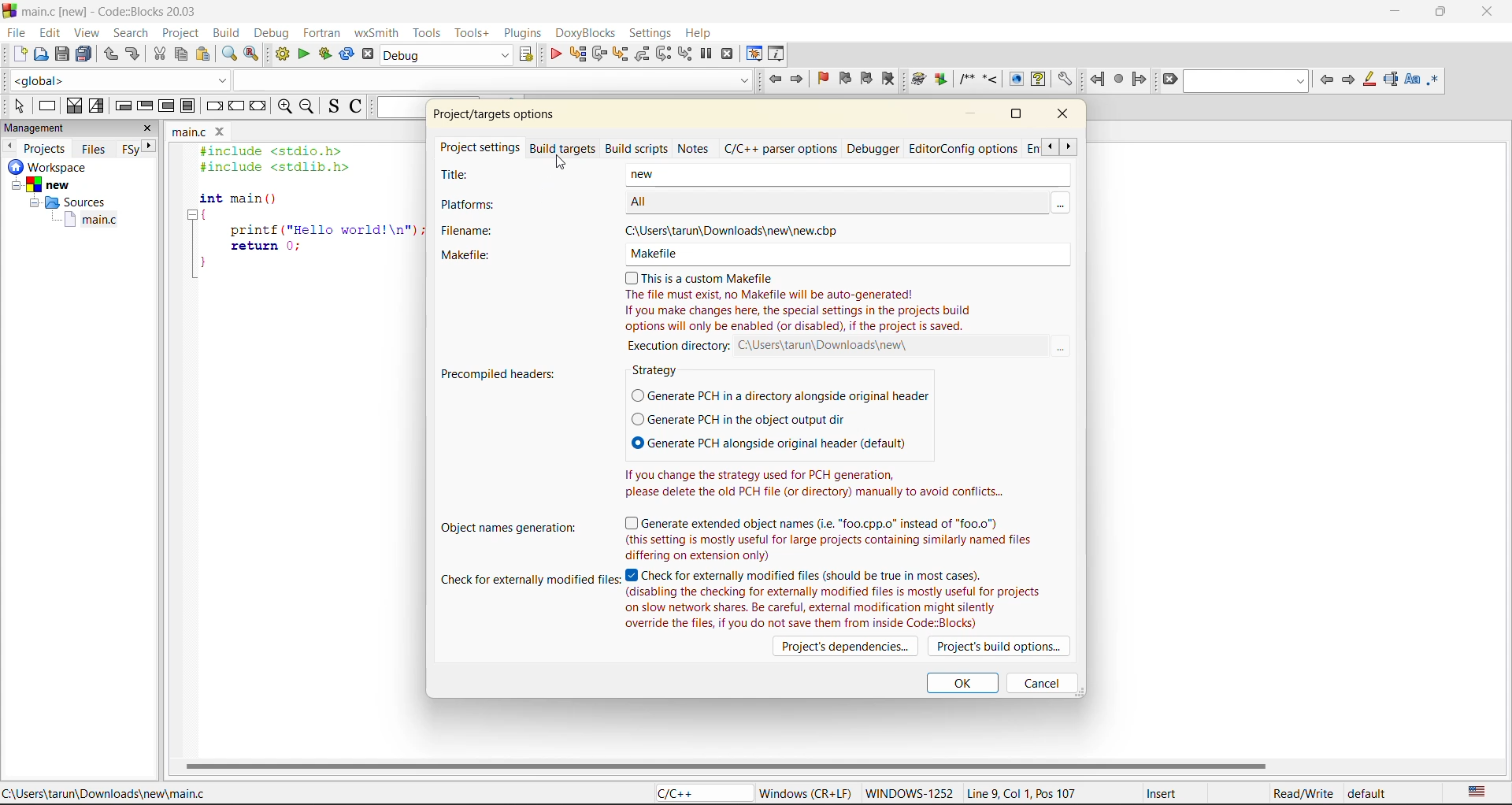 This screenshot has height=805, width=1512. Describe the element at coordinates (962, 684) in the screenshot. I see `ok ` at that location.